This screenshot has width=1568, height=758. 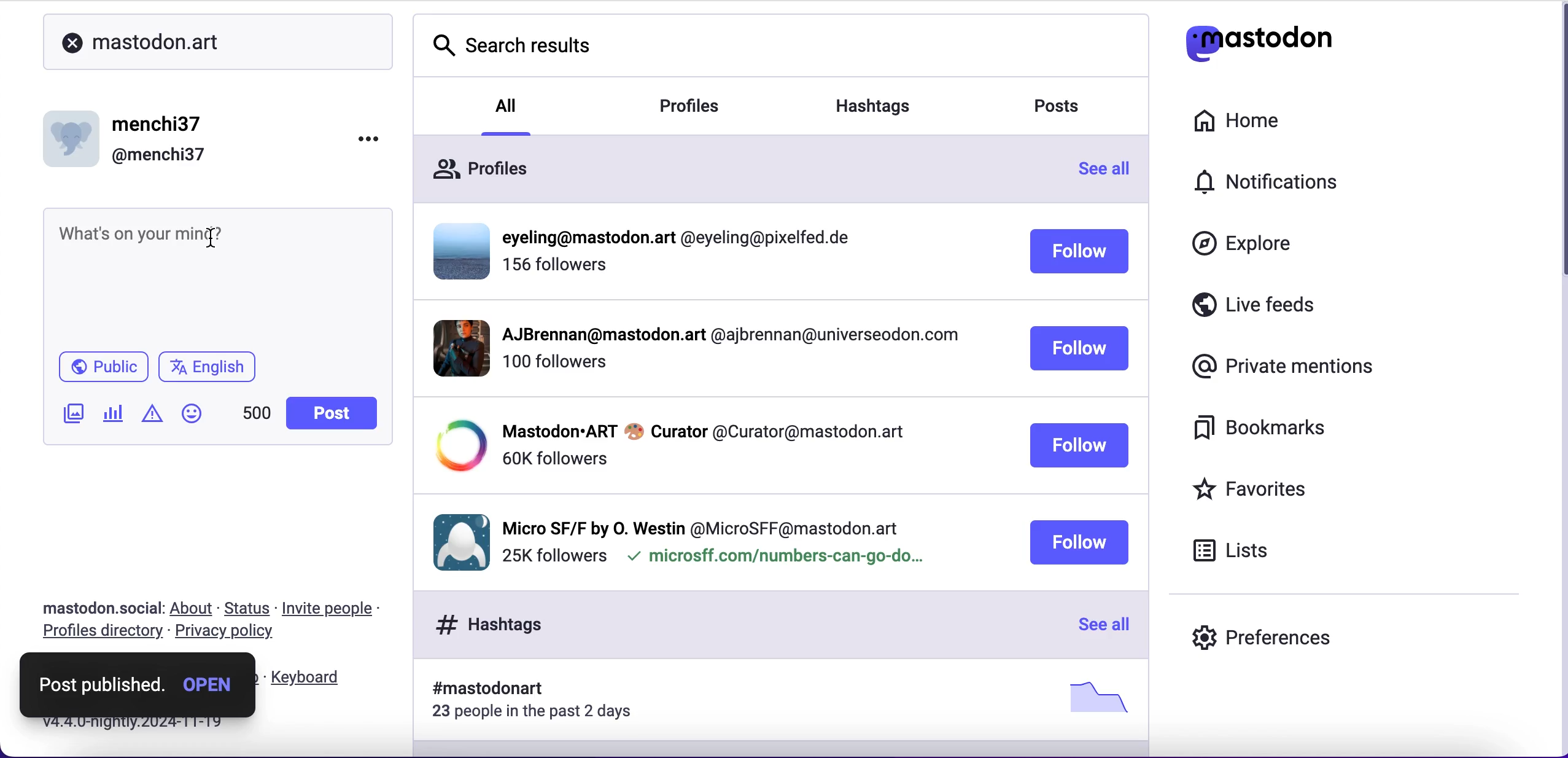 What do you see at coordinates (481, 166) in the screenshot?
I see `profiles` at bounding box center [481, 166].